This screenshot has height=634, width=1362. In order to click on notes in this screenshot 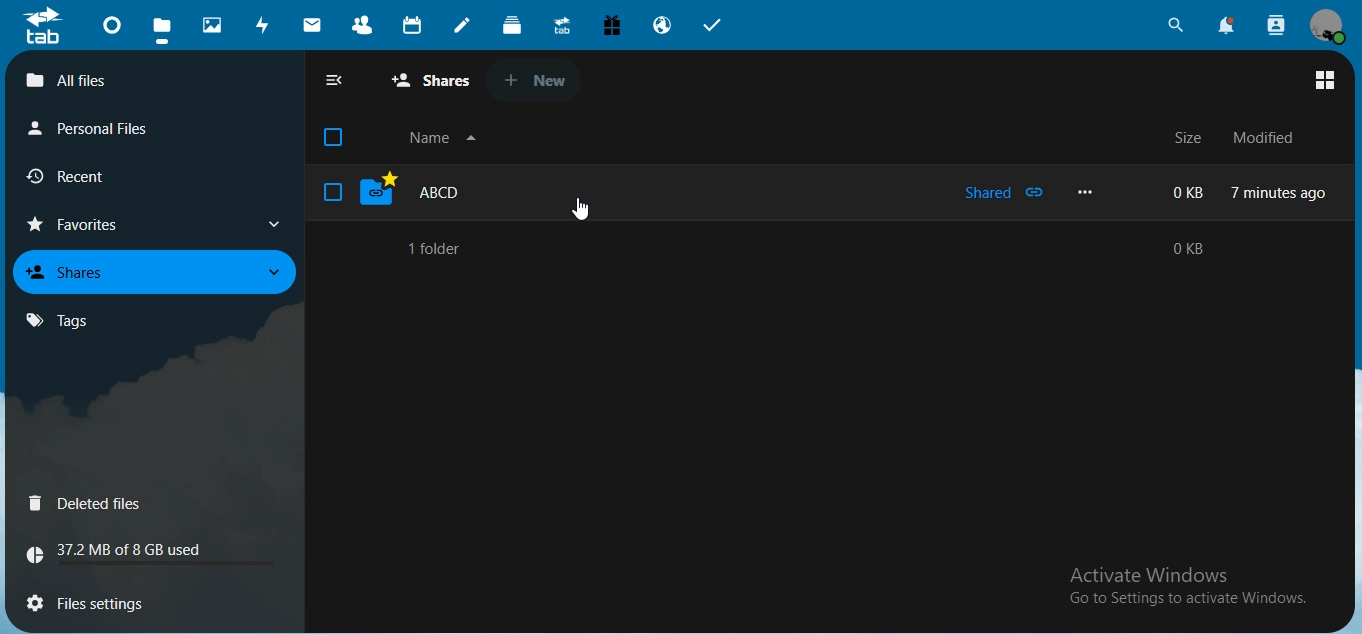, I will do `click(463, 25)`.